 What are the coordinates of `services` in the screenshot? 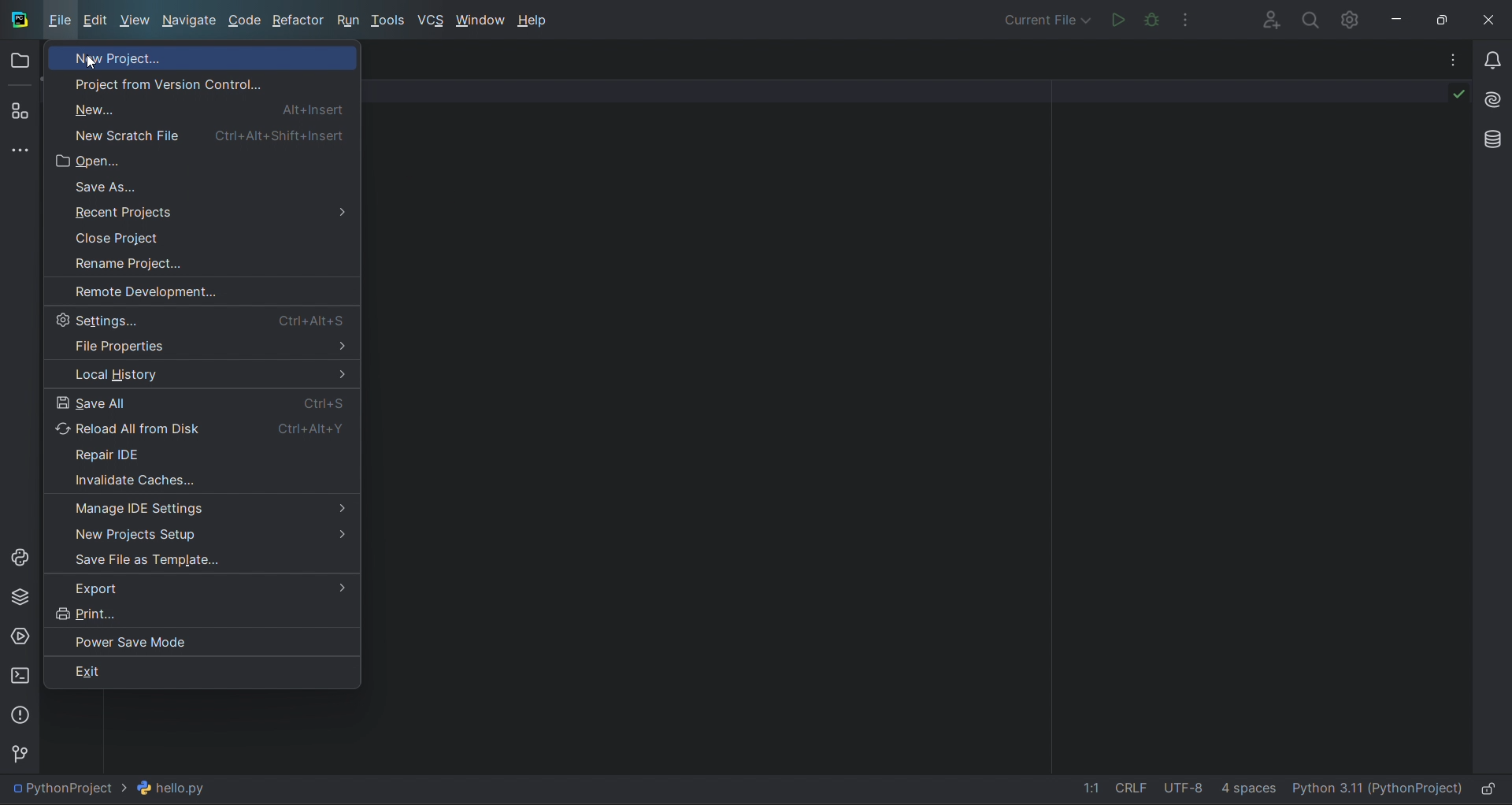 It's located at (20, 636).